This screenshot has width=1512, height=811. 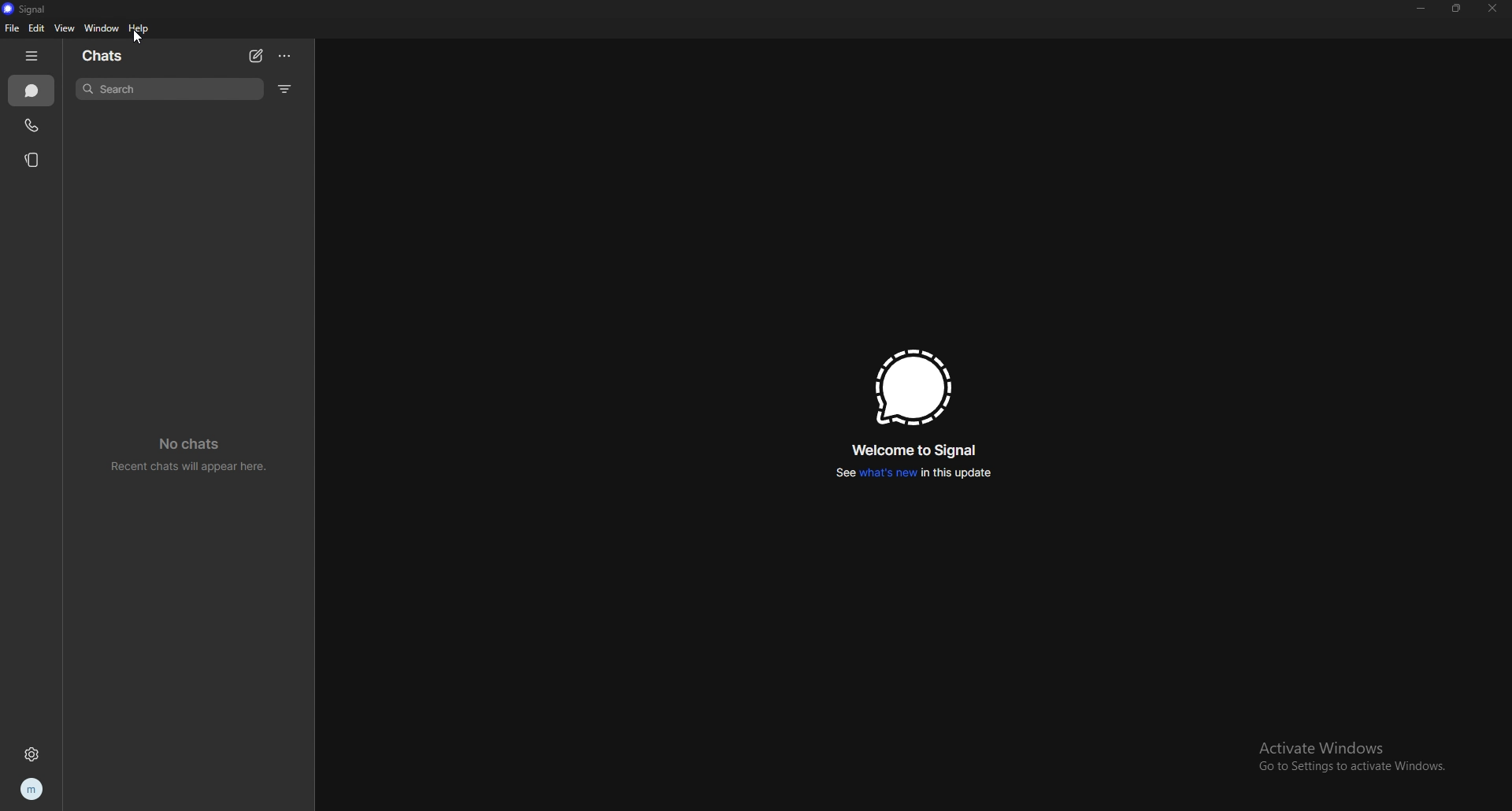 I want to click on edit, so click(x=36, y=28).